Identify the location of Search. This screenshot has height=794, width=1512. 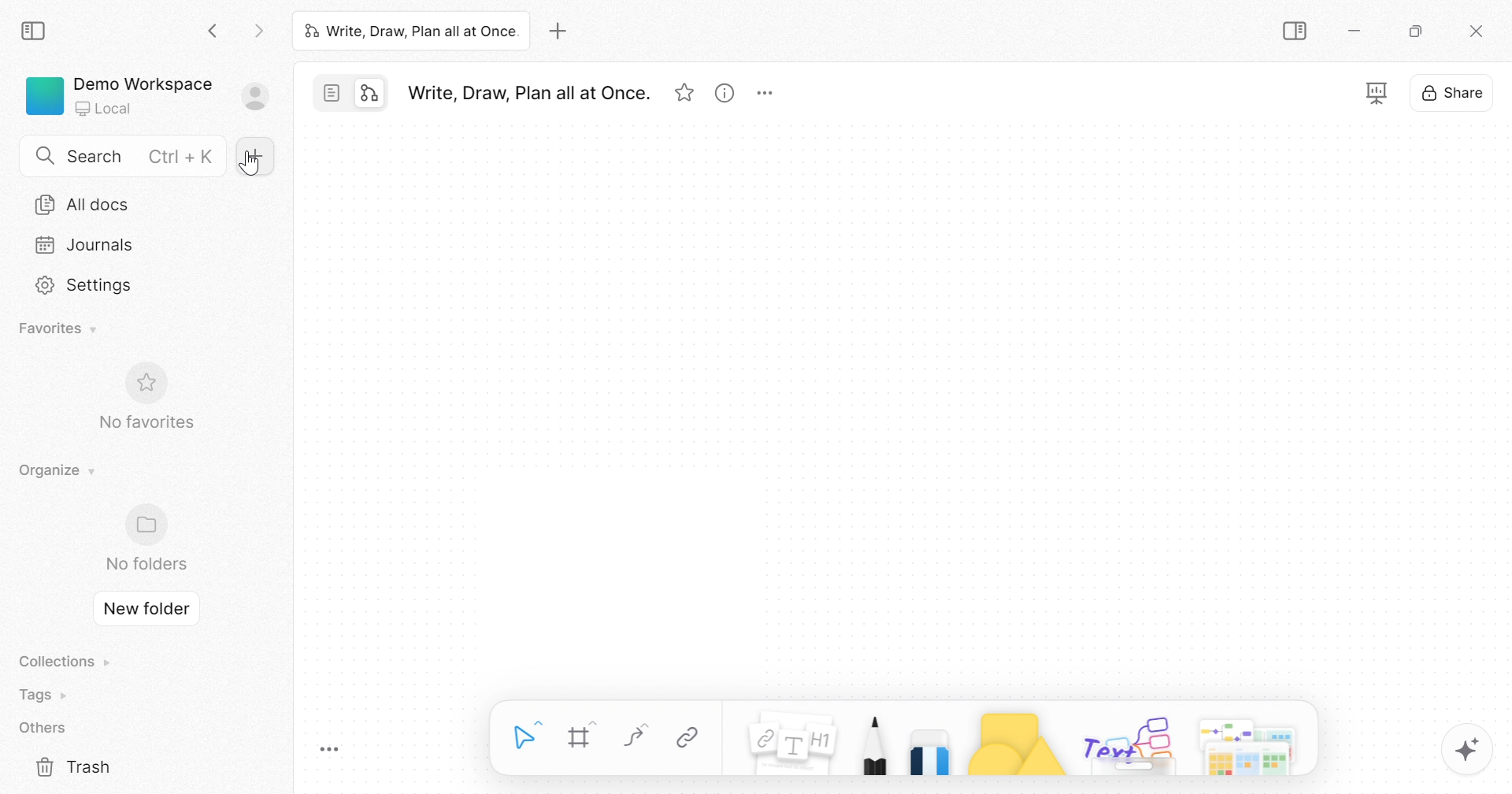
(98, 157).